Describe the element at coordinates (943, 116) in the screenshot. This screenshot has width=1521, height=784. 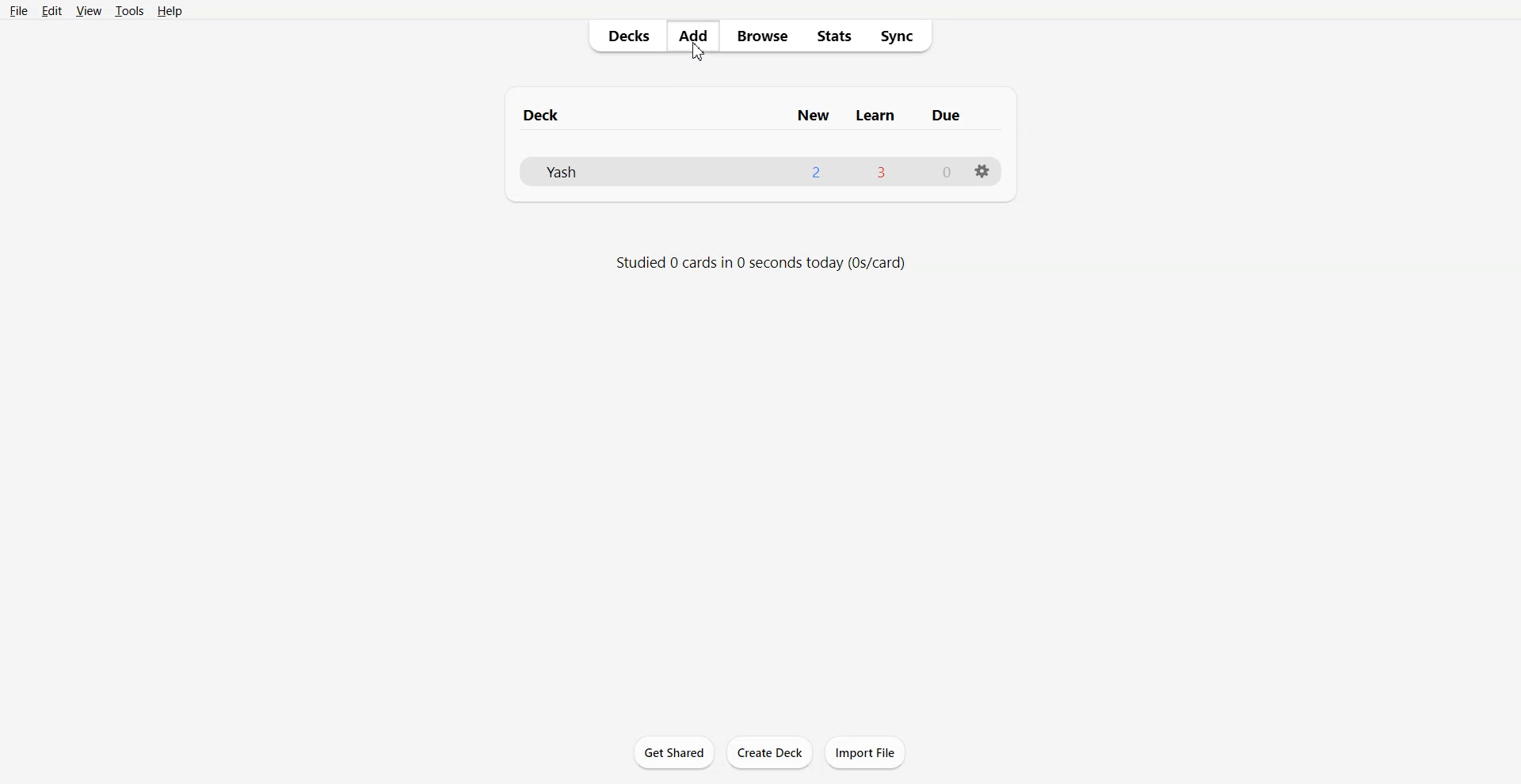
I see `Due` at that location.